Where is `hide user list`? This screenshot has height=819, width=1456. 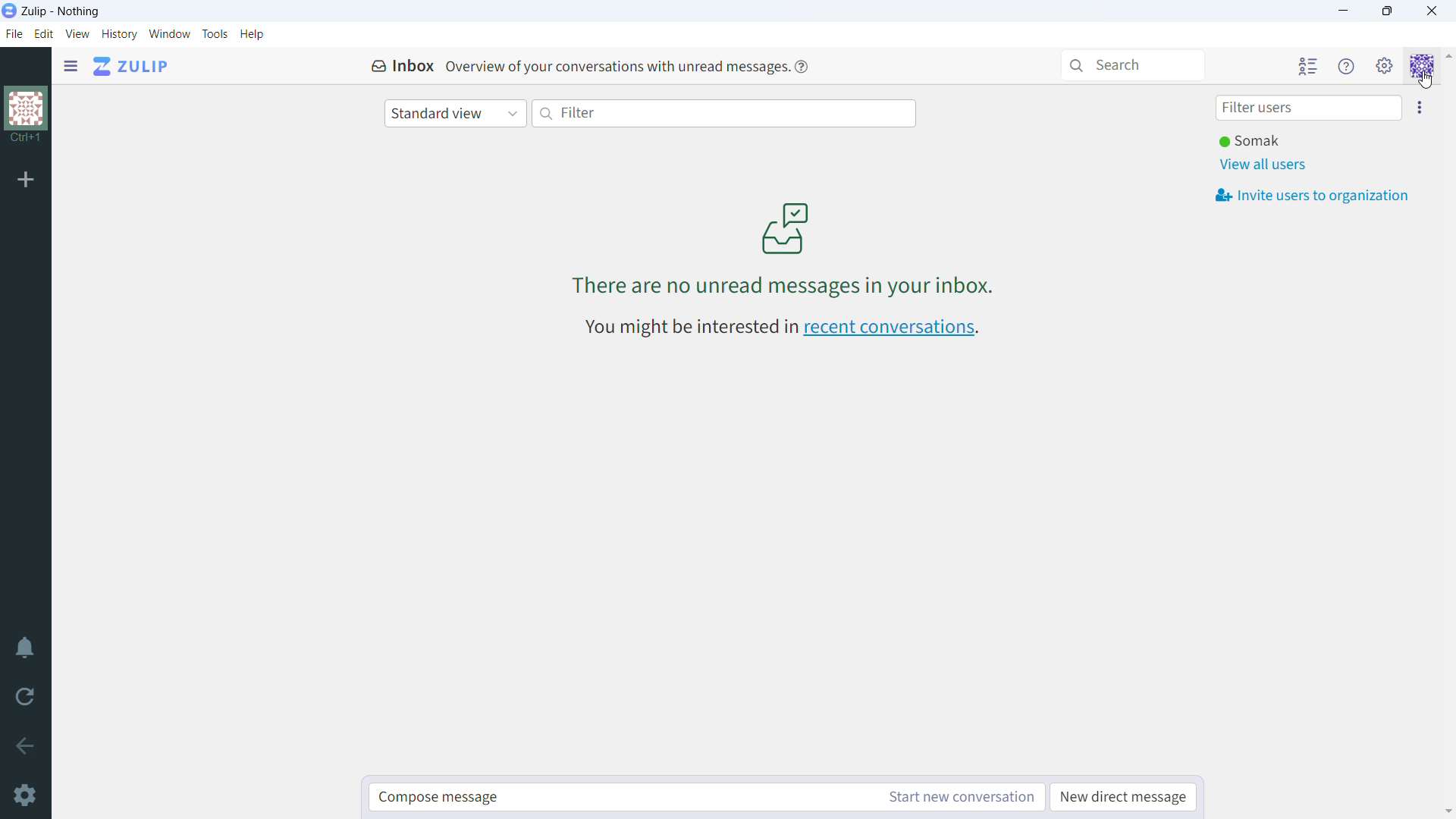 hide user list is located at coordinates (1309, 64).